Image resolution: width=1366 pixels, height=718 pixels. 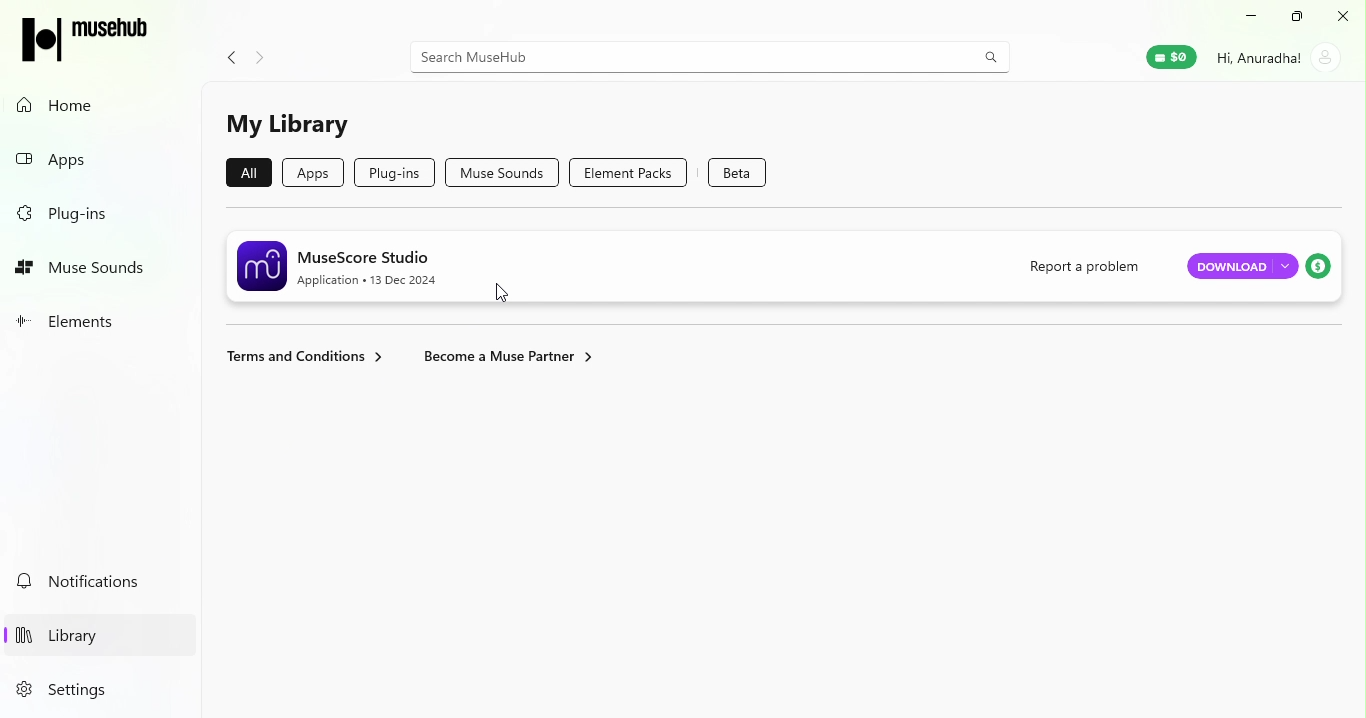 What do you see at coordinates (317, 172) in the screenshot?
I see `Apps` at bounding box center [317, 172].